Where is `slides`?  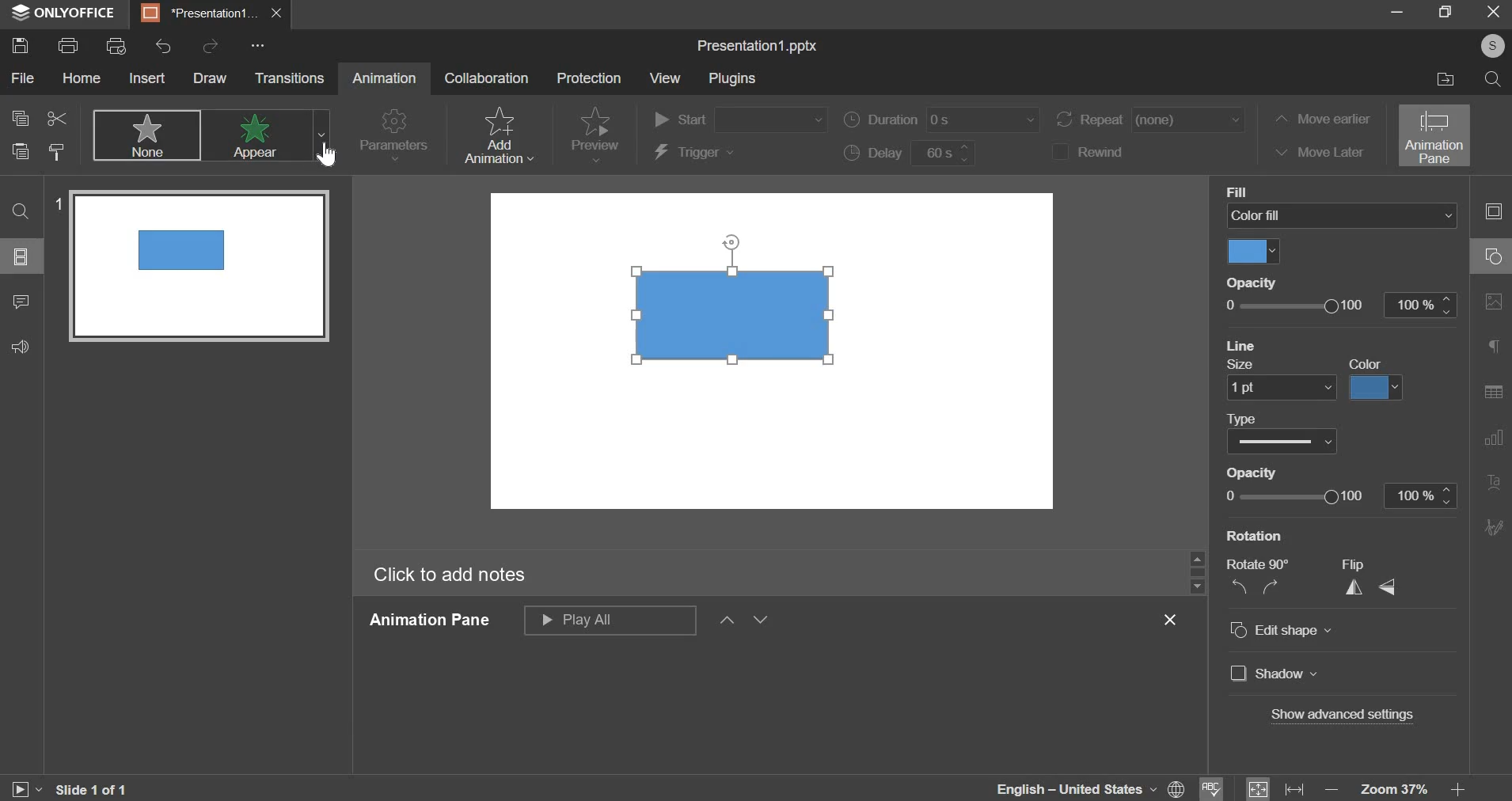
slides is located at coordinates (23, 256).